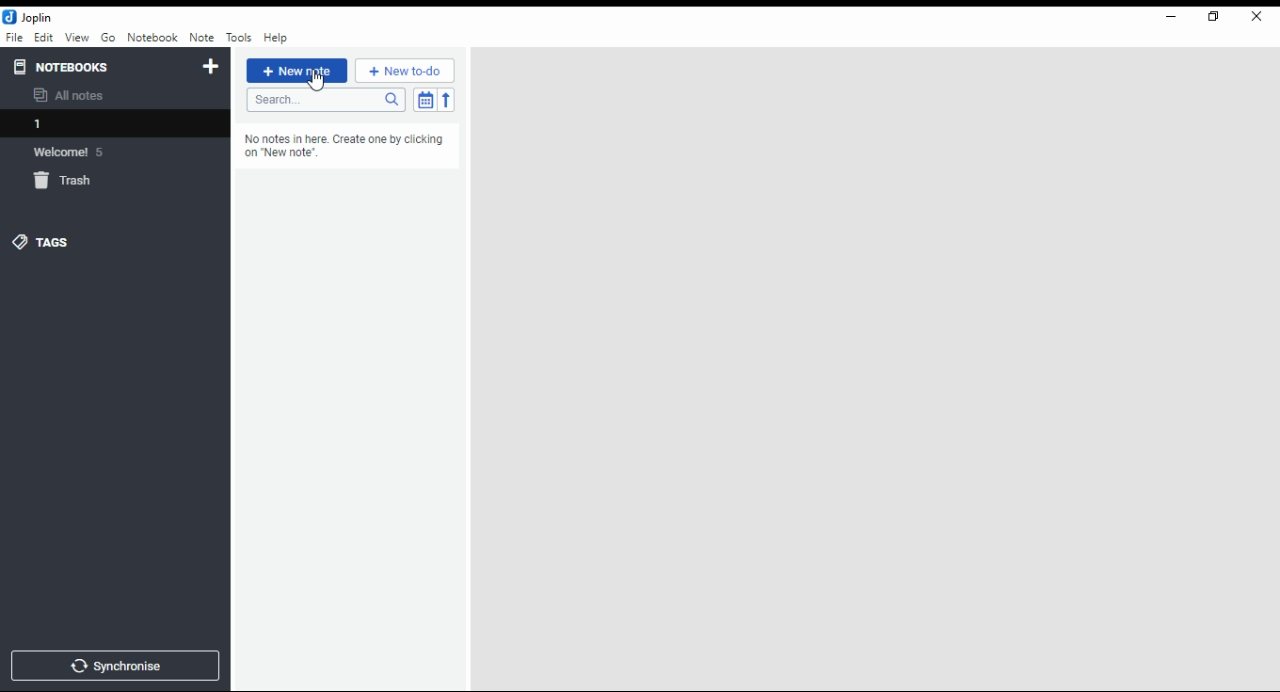 This screenshot has height=692, width=1280. I want to click on all notes, so click(74, 96).